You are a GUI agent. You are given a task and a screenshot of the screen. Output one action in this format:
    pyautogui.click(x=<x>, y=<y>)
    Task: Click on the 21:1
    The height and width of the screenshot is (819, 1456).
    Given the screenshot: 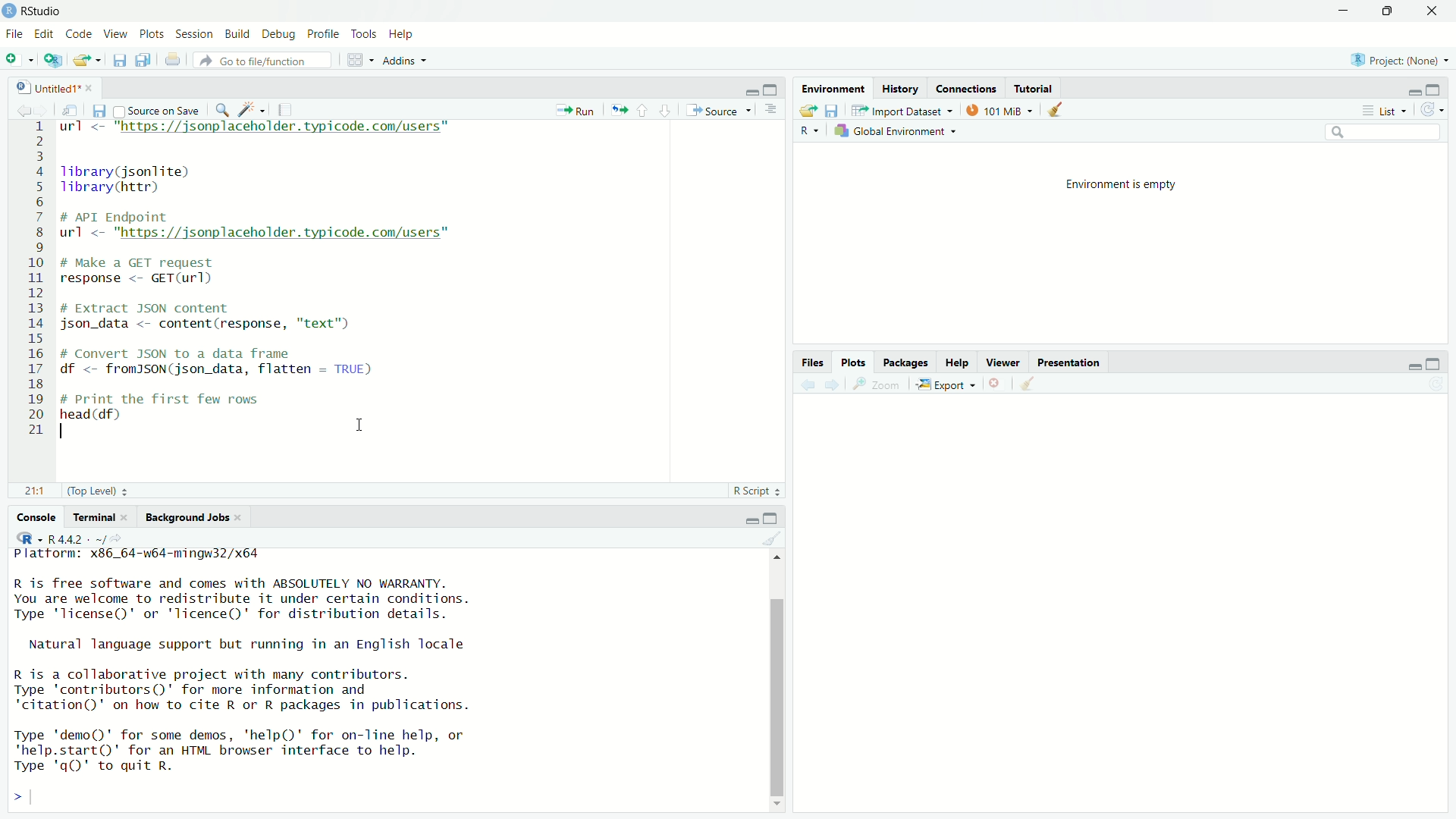 What is the action you would take?
    pyautogui.click(x=38, y=491)
    